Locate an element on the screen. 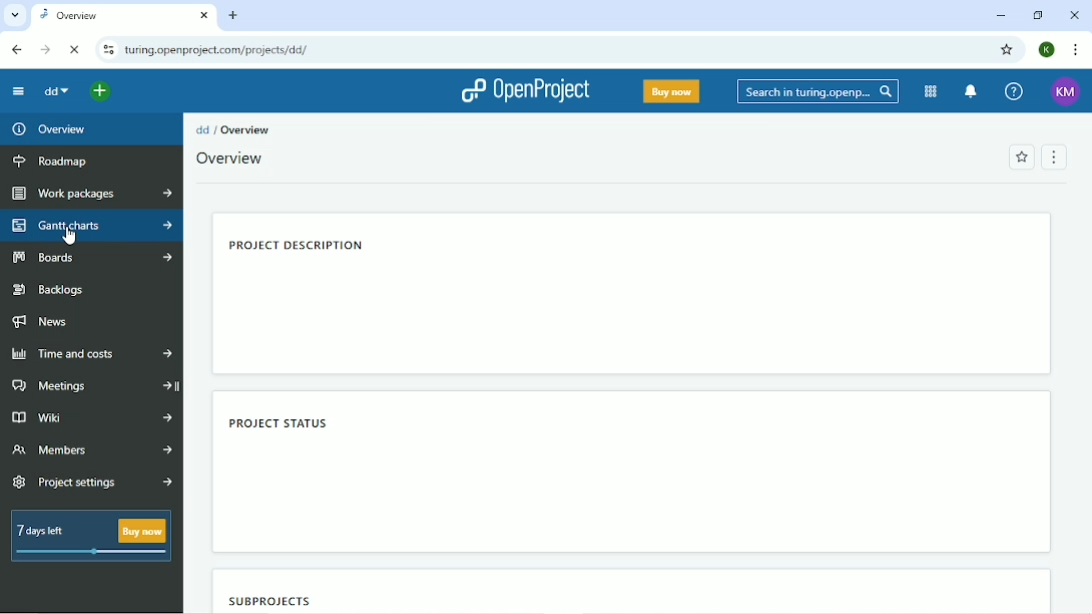 Image resolution: width=1092 pixels, height=614 pixels. Boards is located at coordinates (90, 258).